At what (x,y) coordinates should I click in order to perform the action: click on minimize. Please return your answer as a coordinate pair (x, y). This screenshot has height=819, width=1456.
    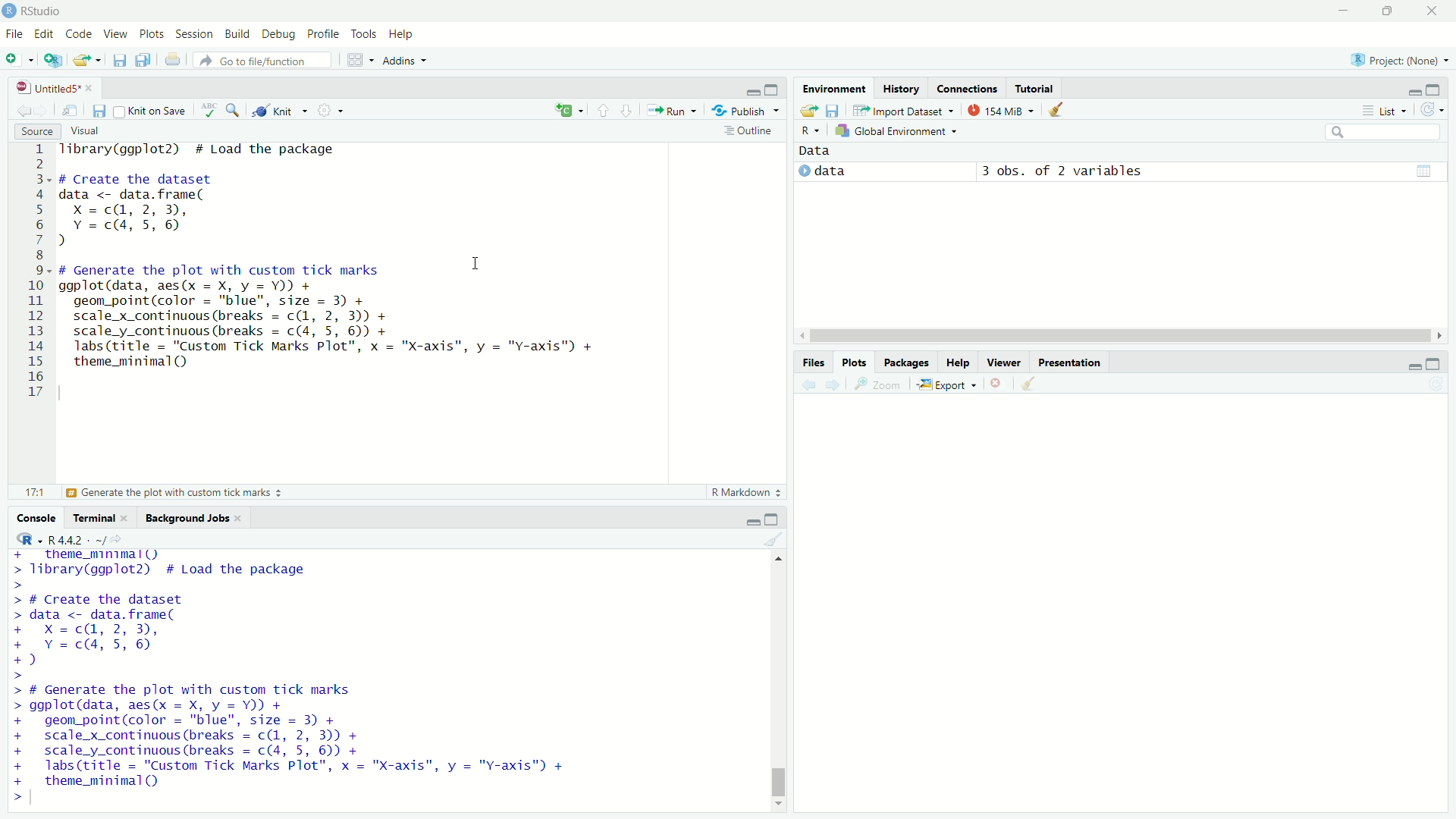
    Looking at the image, I should click on (744, 518).